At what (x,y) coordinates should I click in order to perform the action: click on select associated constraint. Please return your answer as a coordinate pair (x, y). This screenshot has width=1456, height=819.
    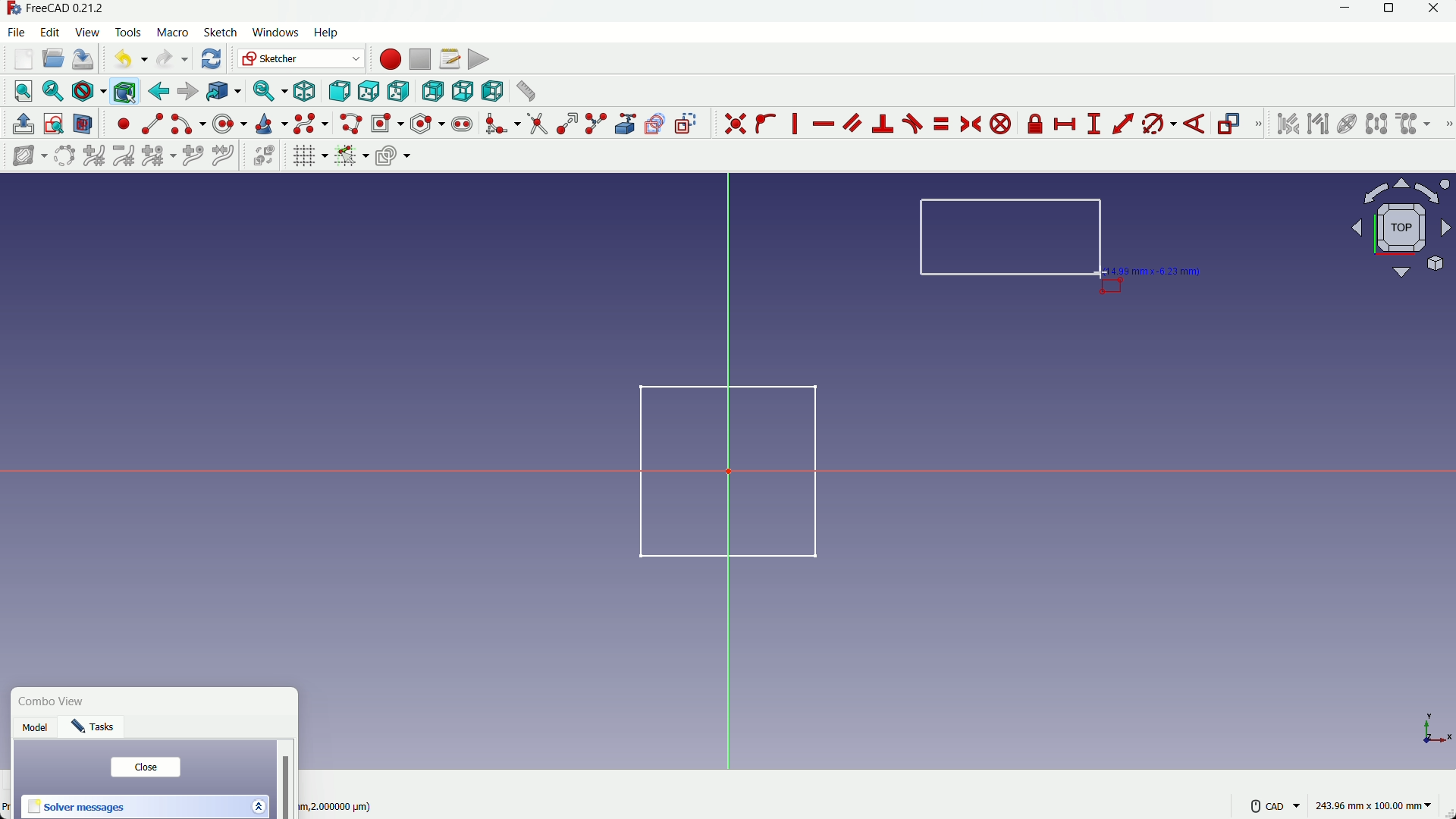
    Looking at the image, I should click on (1287, 124).